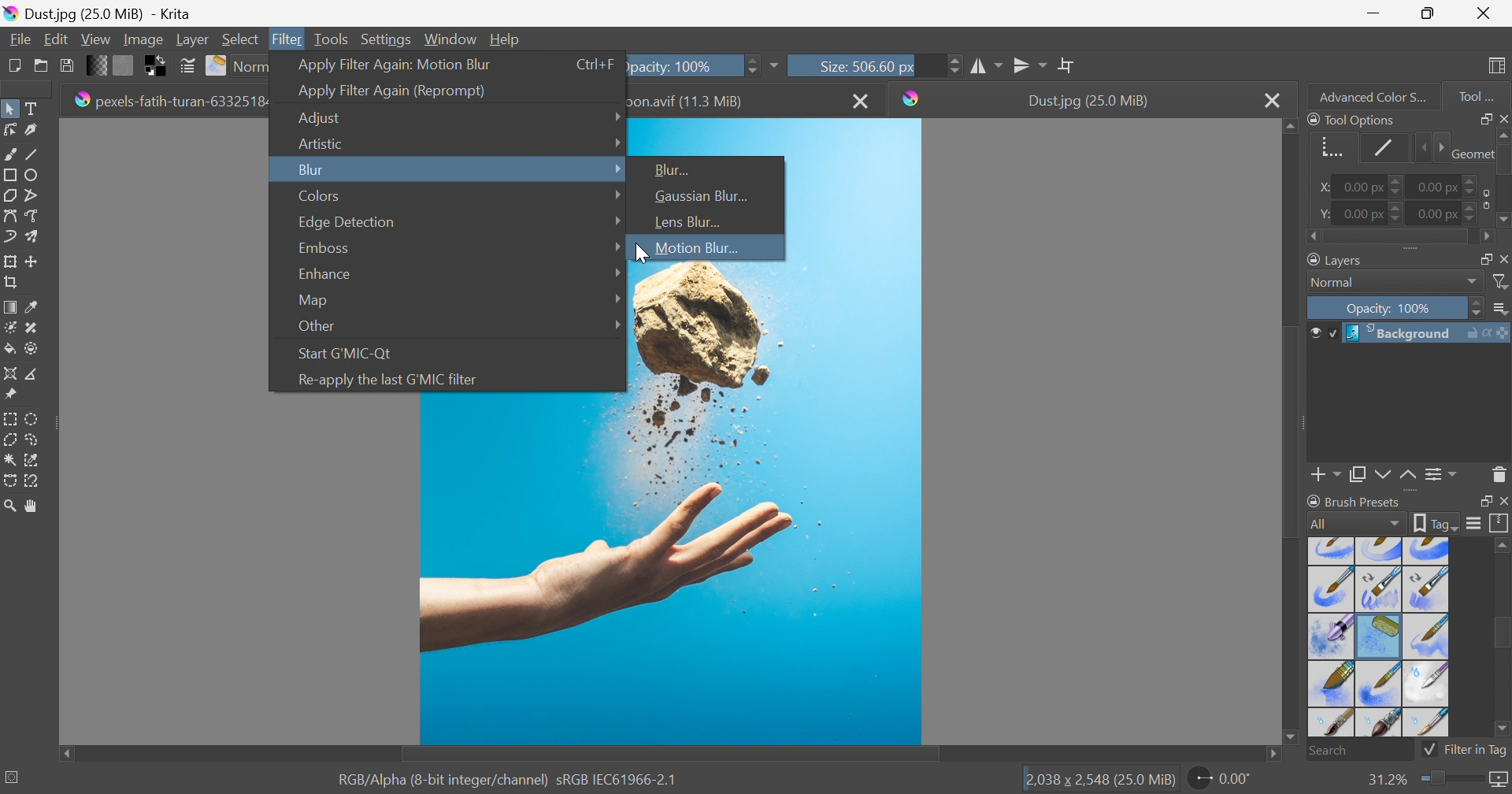 The height and width of the screenshot is (794, 1512). What do you see at coordinates (1364, 214) in the screenshot?
I see `0.00 px` at bounding box center [1364, 214].